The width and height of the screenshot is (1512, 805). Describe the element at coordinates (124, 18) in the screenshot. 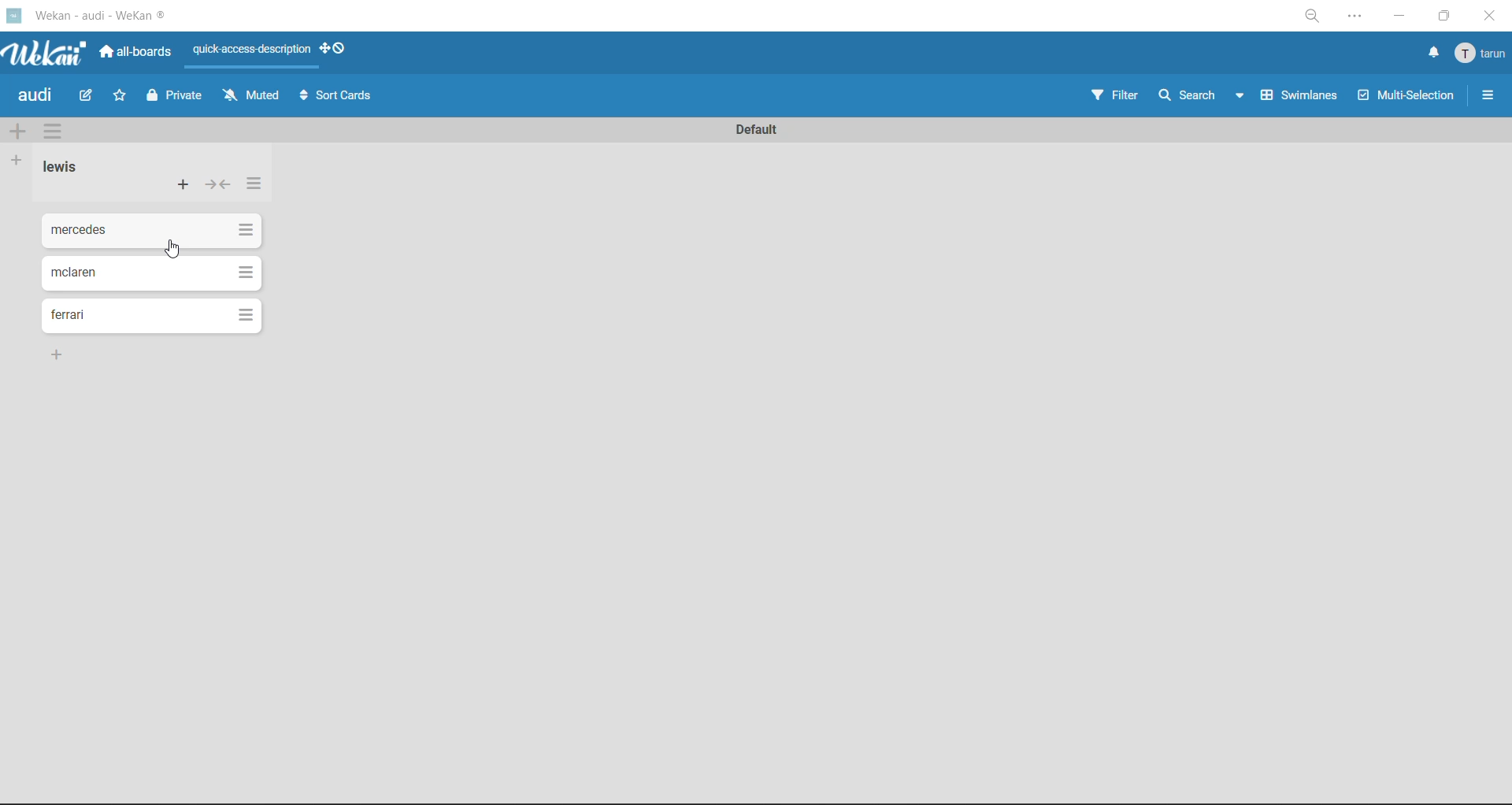

I see `app titlew` at that location.